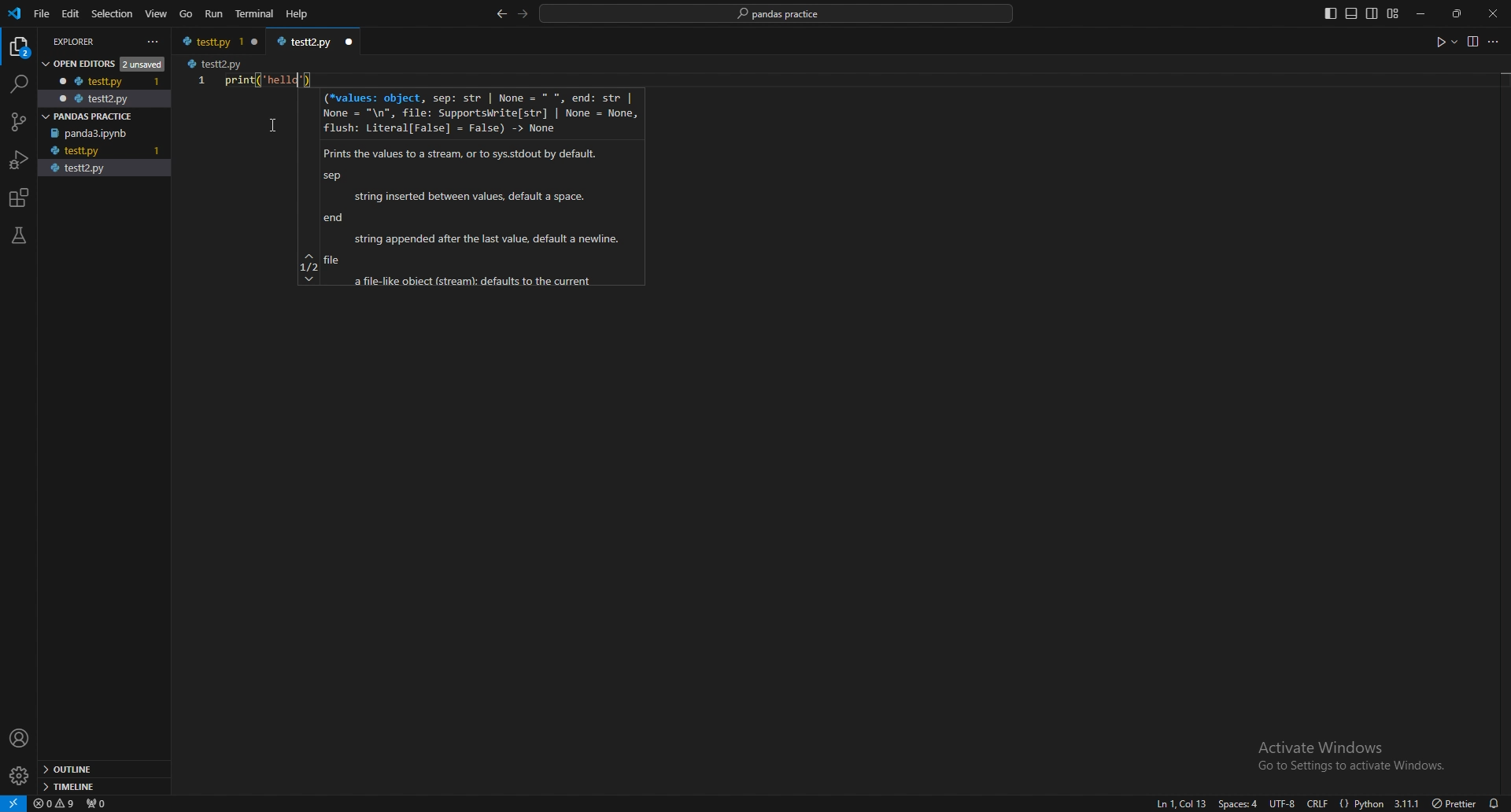  I want to click on print("Hello"), so click(268, 79).